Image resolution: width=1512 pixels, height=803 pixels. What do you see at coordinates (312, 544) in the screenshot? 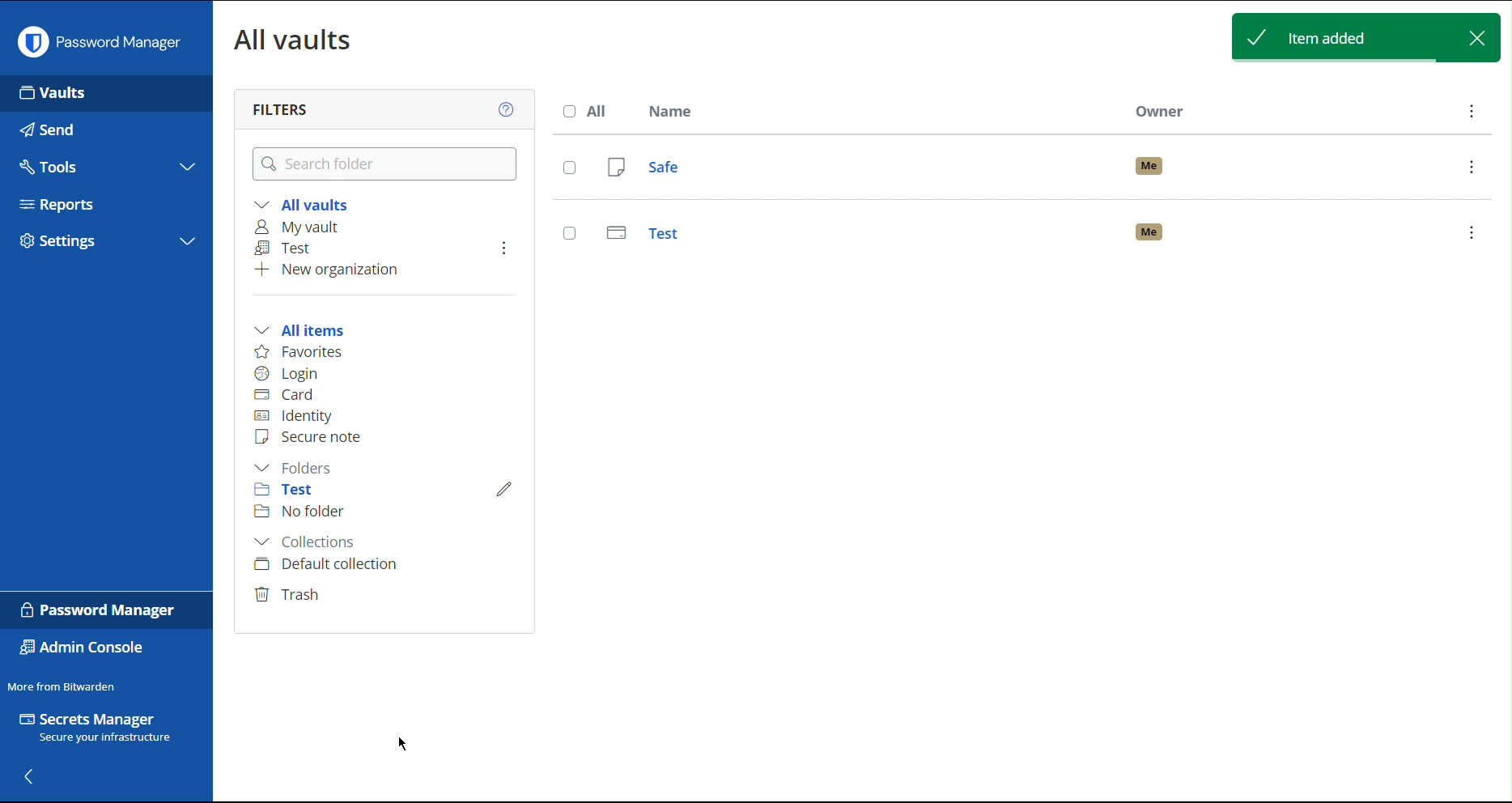
I see `Collections` at bounding box center [312, 544].